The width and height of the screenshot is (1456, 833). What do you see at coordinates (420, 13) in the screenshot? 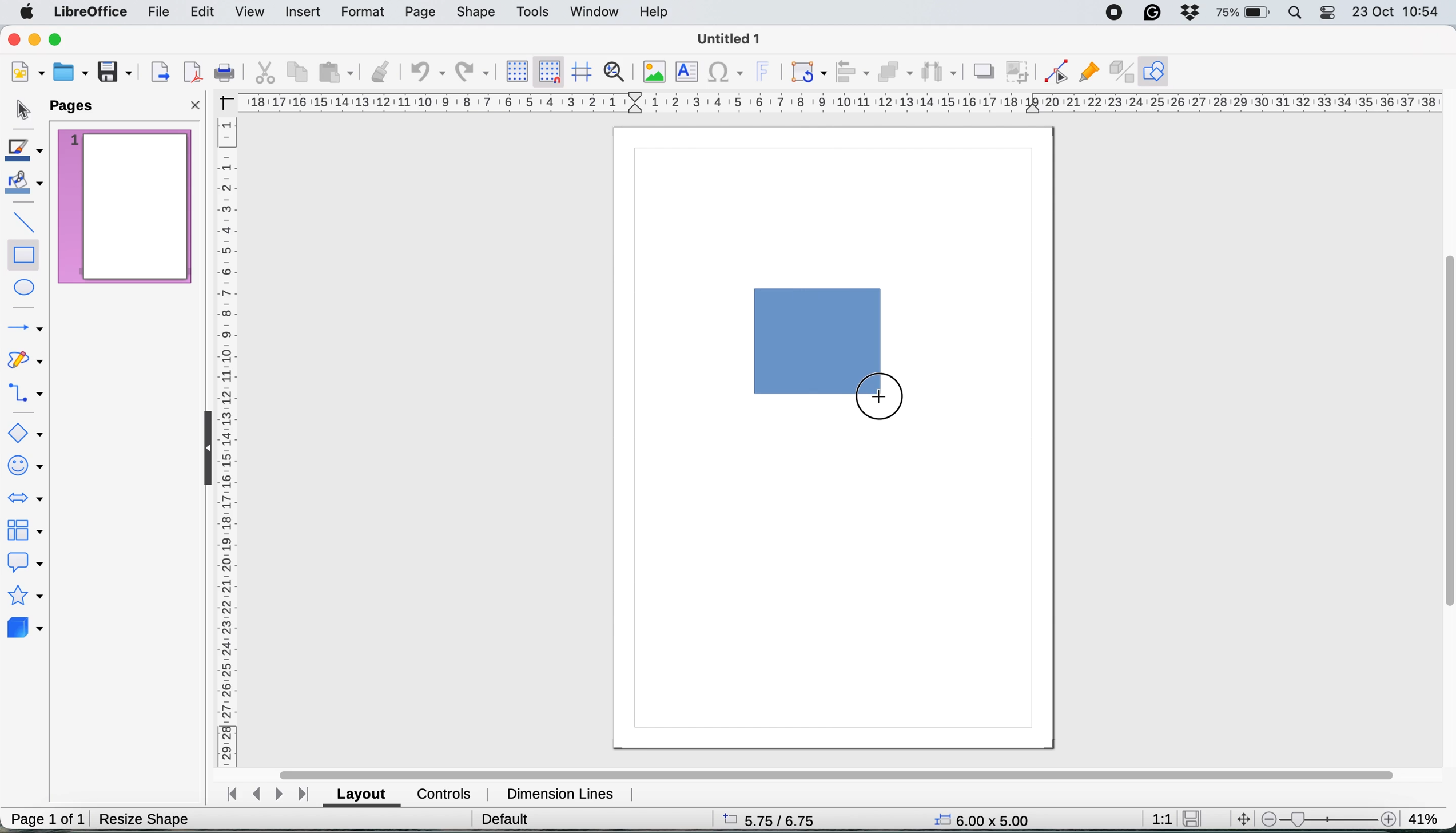
I see `page` at bounding box center [420, 13].